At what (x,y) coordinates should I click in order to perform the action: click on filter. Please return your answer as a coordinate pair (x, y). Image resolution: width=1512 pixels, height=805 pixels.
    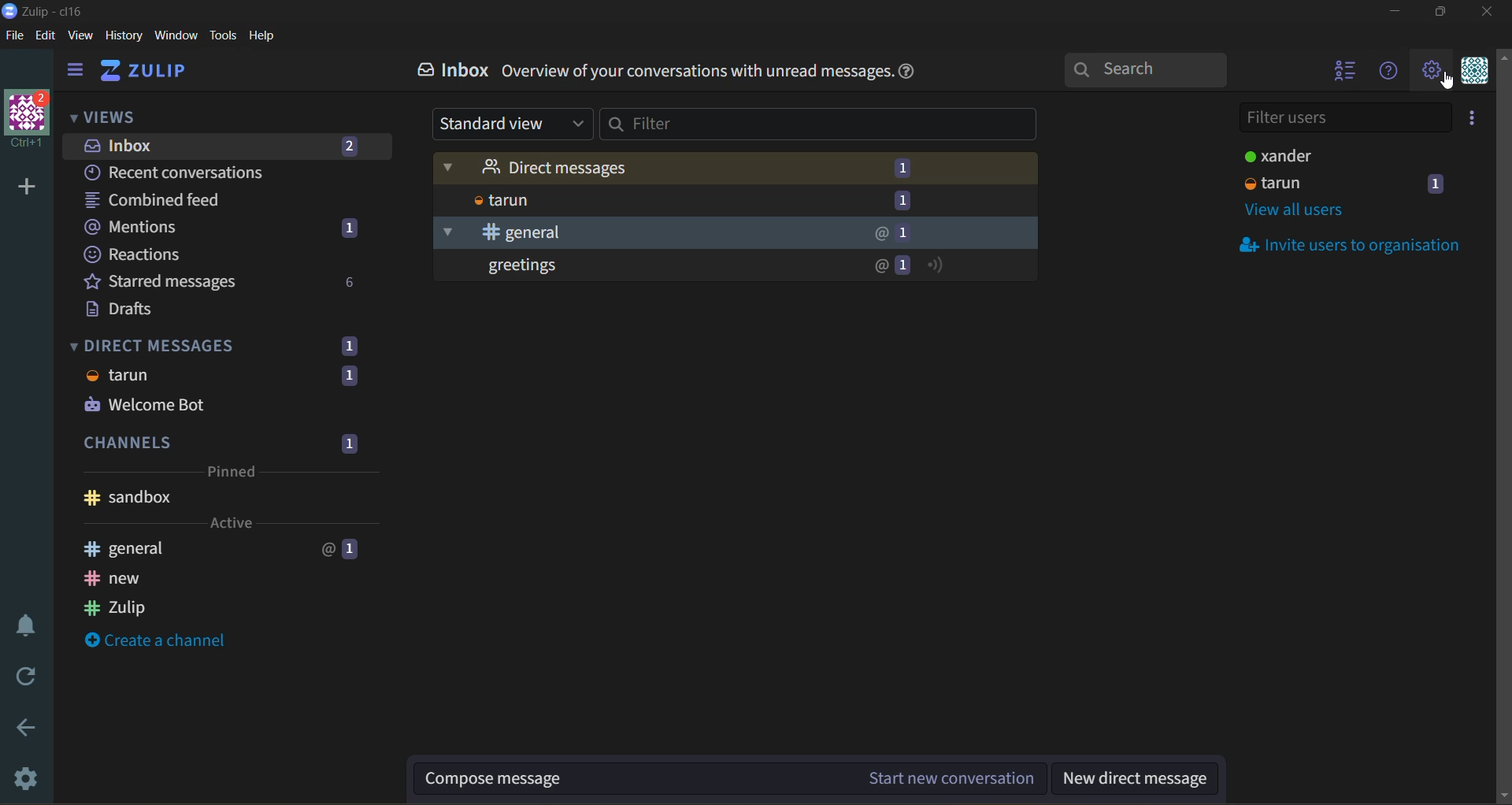
    Looking at the image, I should click on (817, 124).